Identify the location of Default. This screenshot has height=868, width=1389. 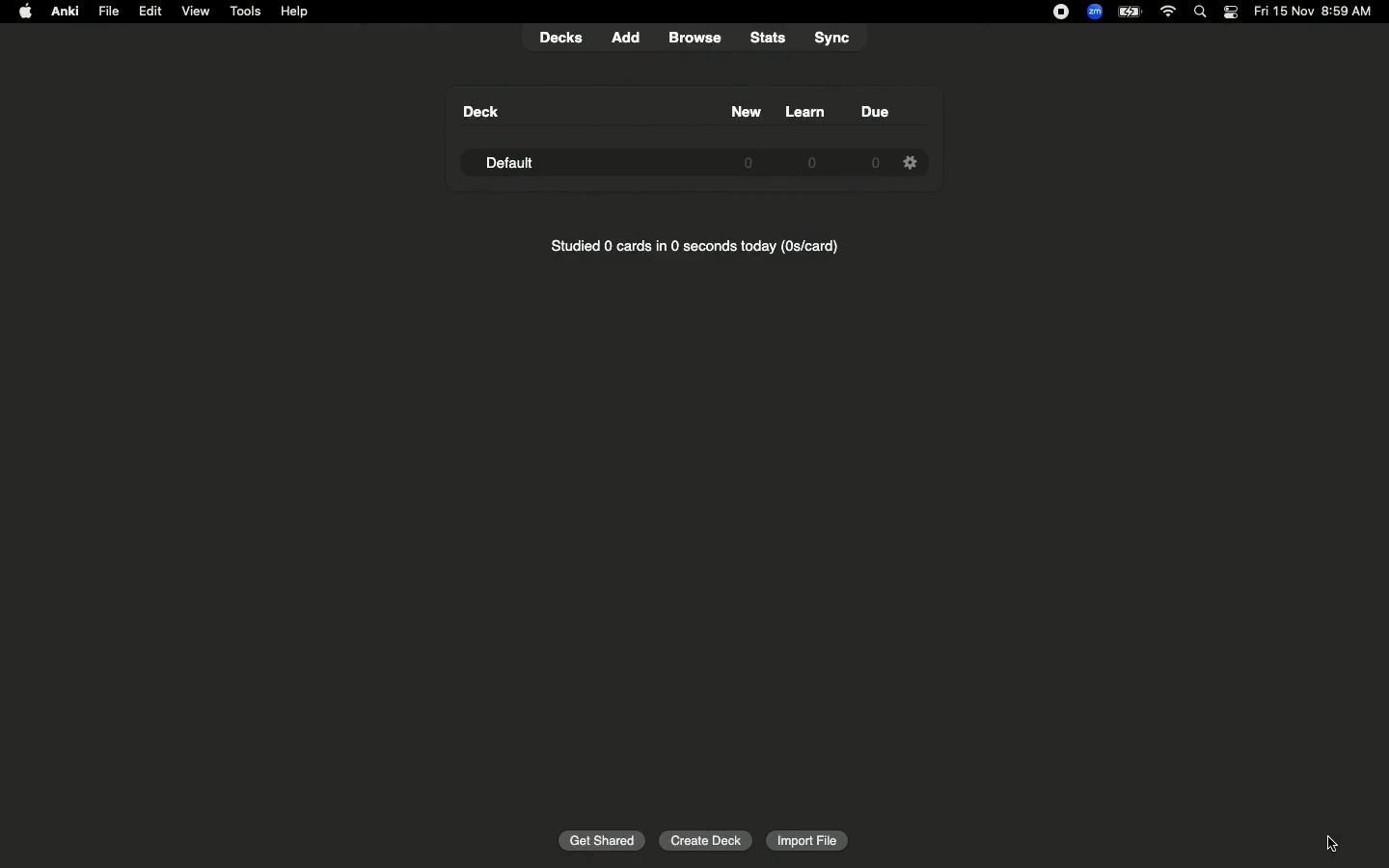
(514, 162).